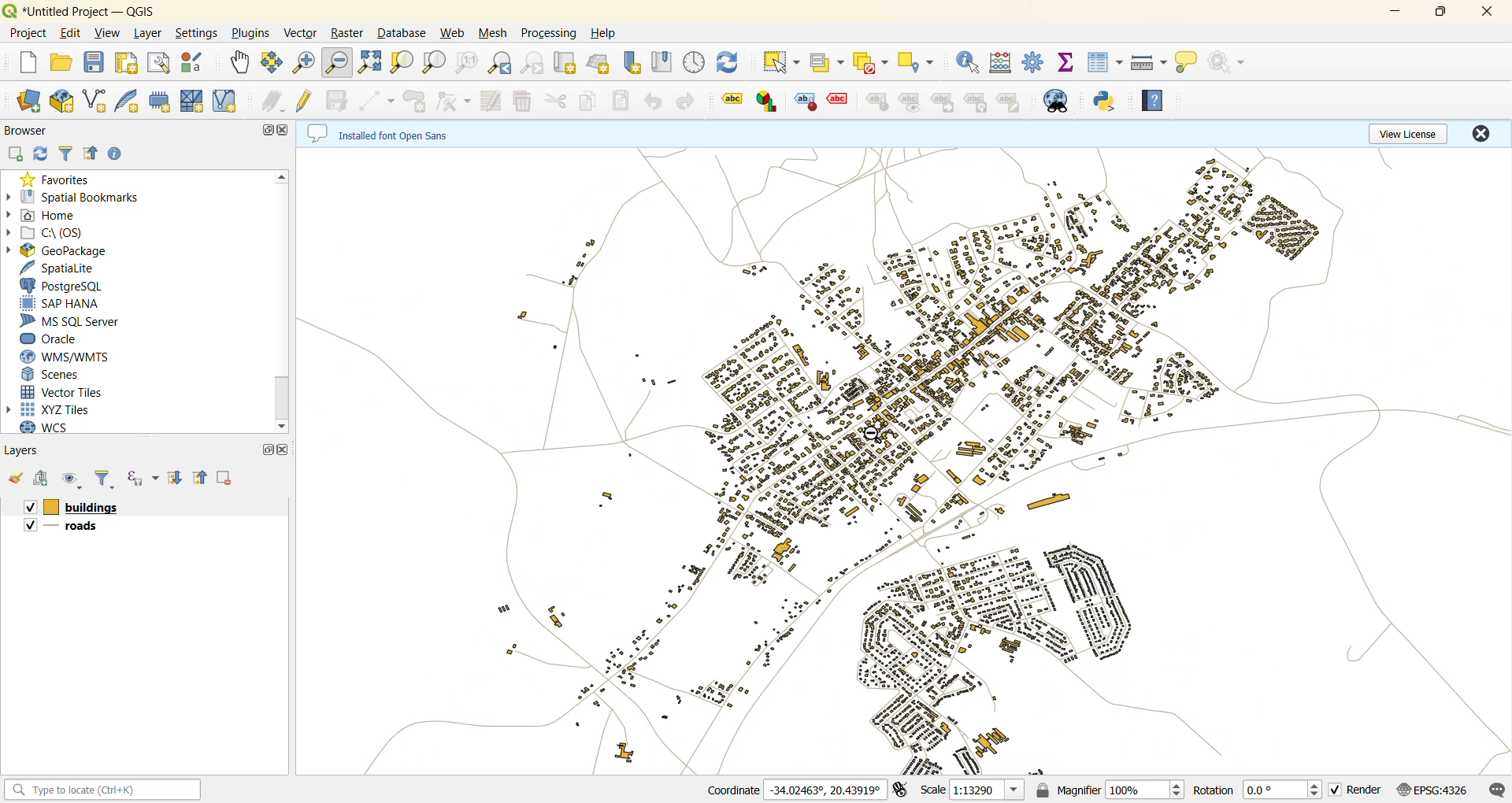 The height and width of the screenshot is (803, 1512). I want to click on new shapefile layer, so click(97, 101).